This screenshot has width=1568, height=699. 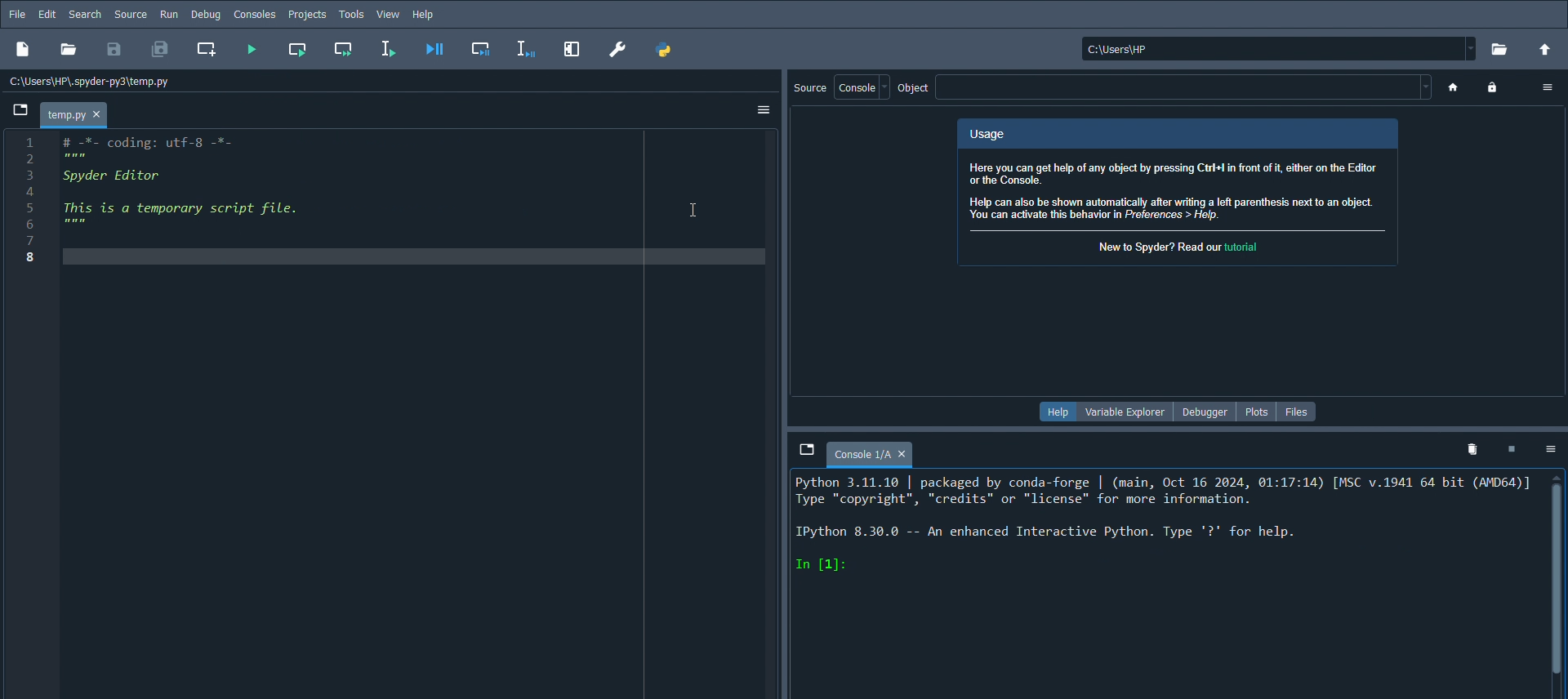 I want to click on Remove all variables from namespace, so click(x=1471, y=449).